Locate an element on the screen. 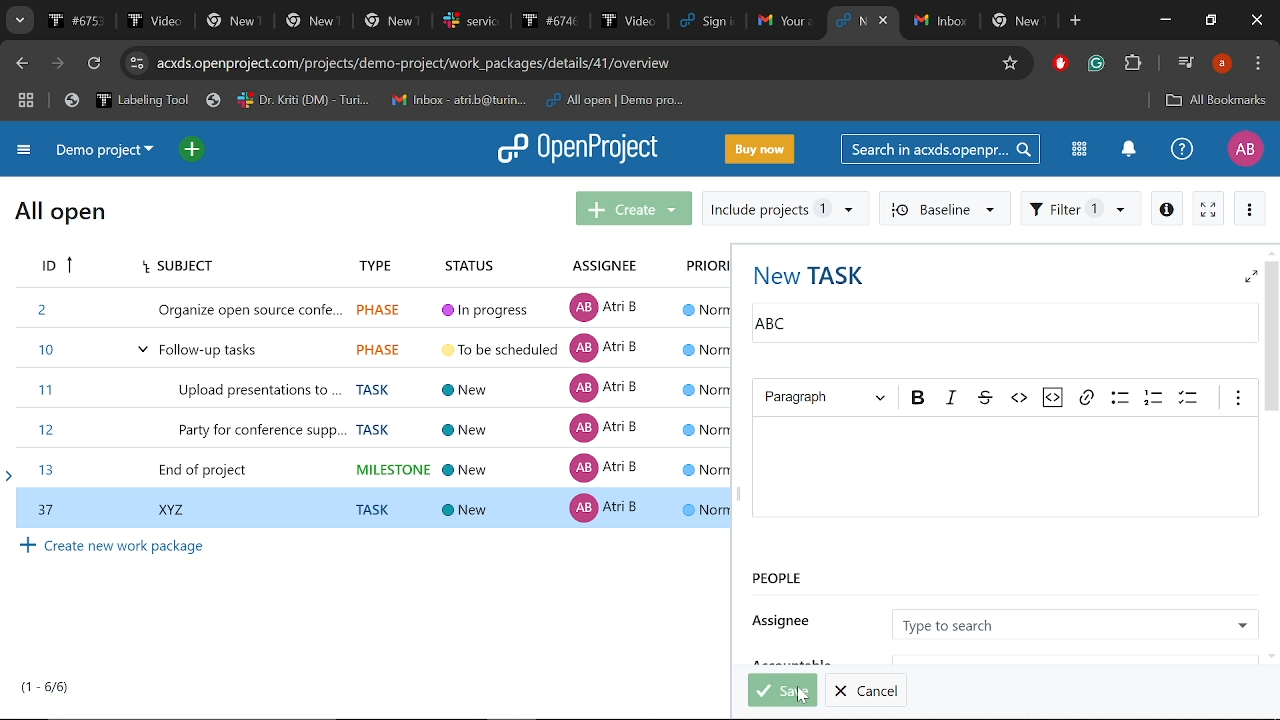 Image resolution: width=1280 pixels, height=720 pixels. Notification is located at coordinates (1127, 151).